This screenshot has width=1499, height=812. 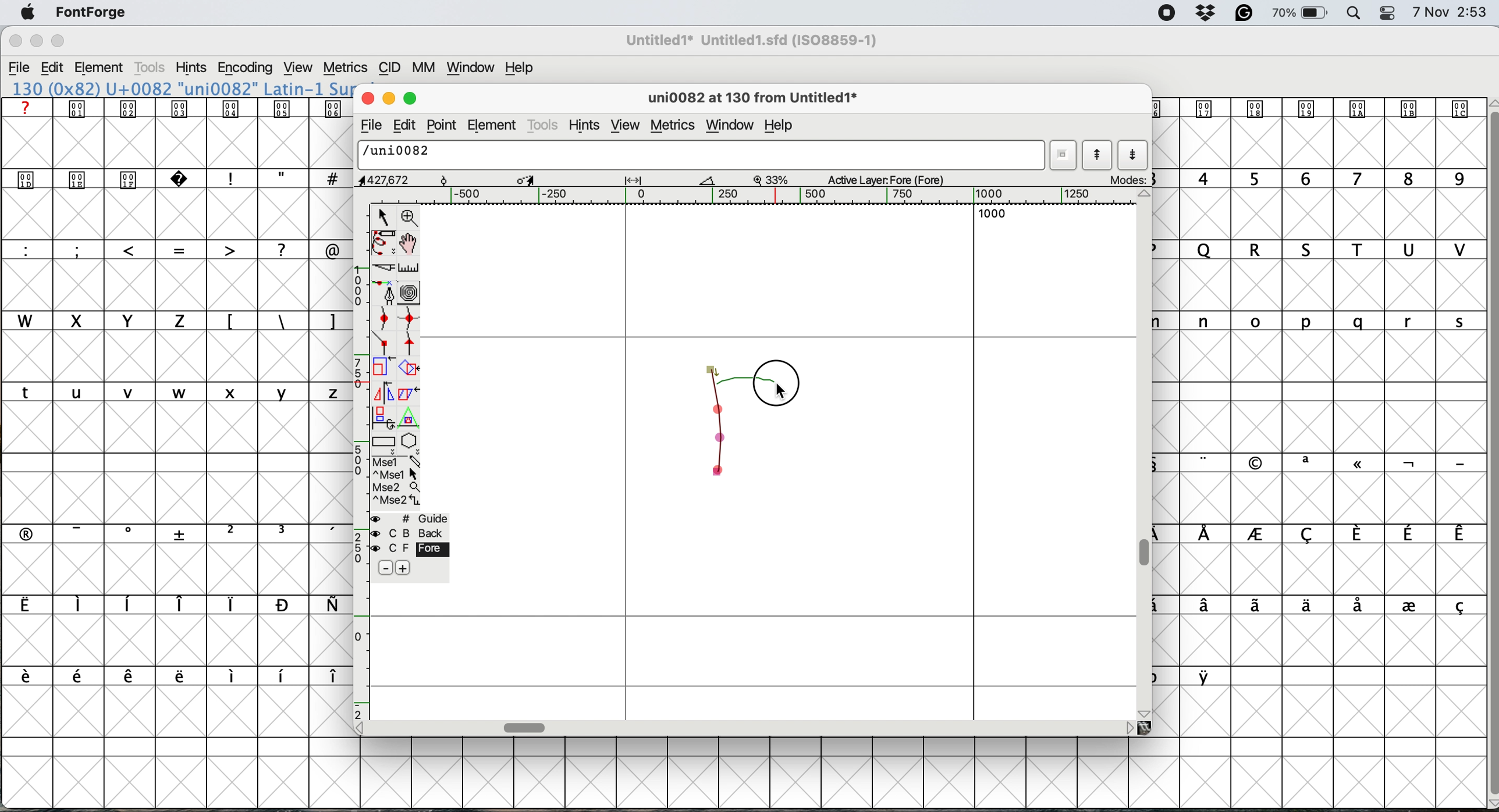 I want to click on add a comer point, so click(x=385, y=345).